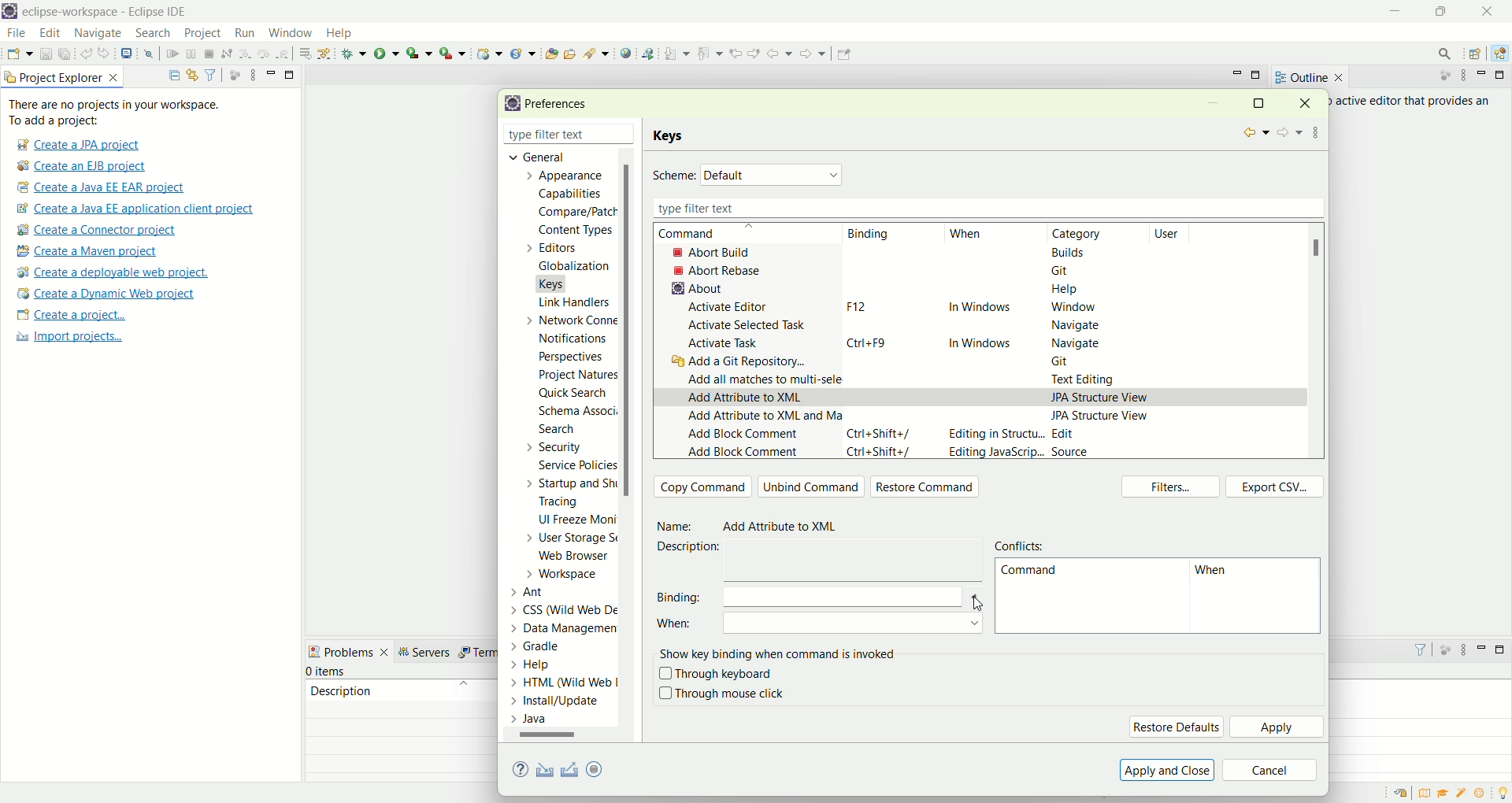 This screenshot has width=1512, height=803. I want to click on help, so click(346, 35).